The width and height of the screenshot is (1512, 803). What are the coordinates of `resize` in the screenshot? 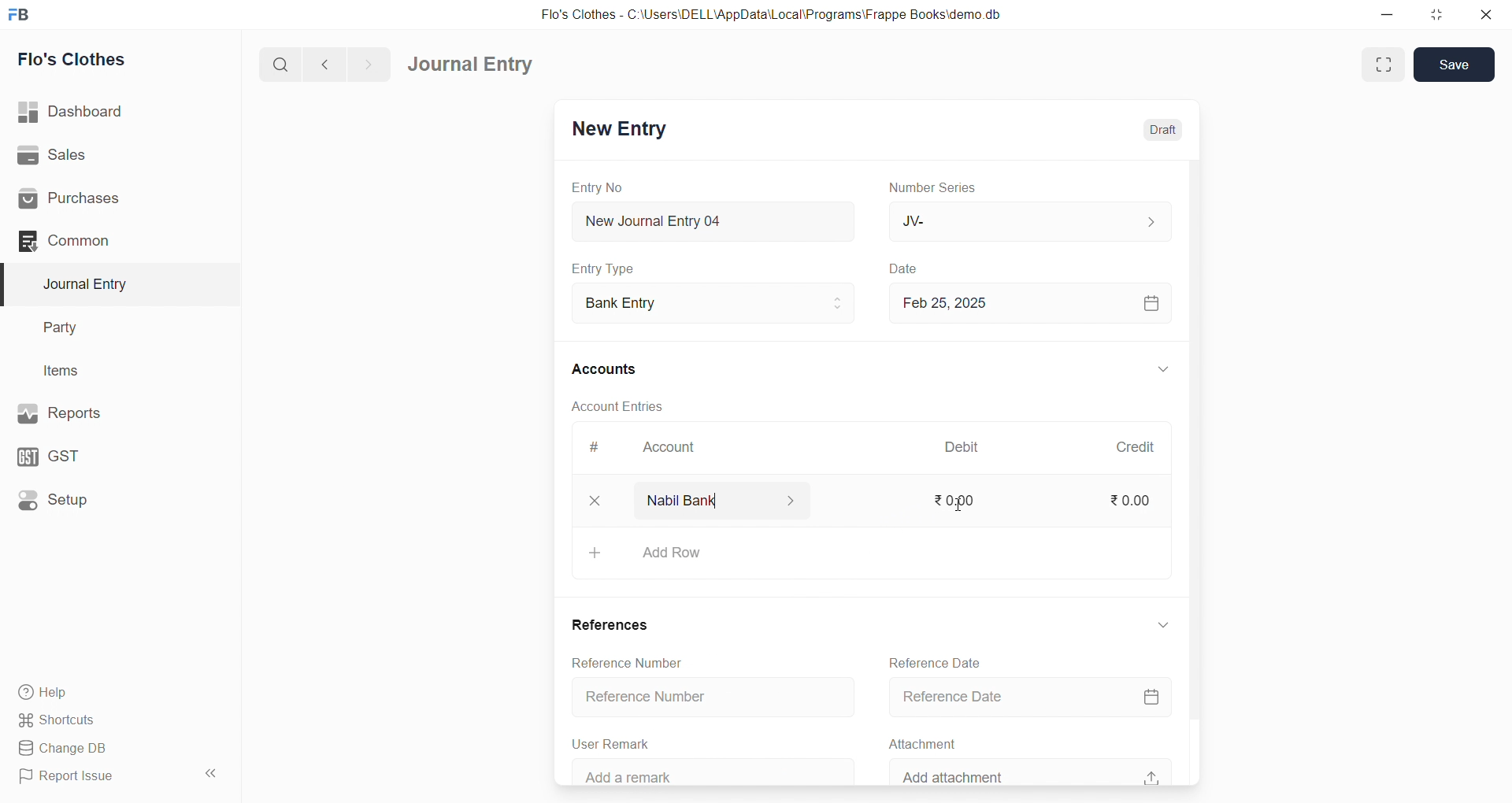 It's located at (1432, 14).